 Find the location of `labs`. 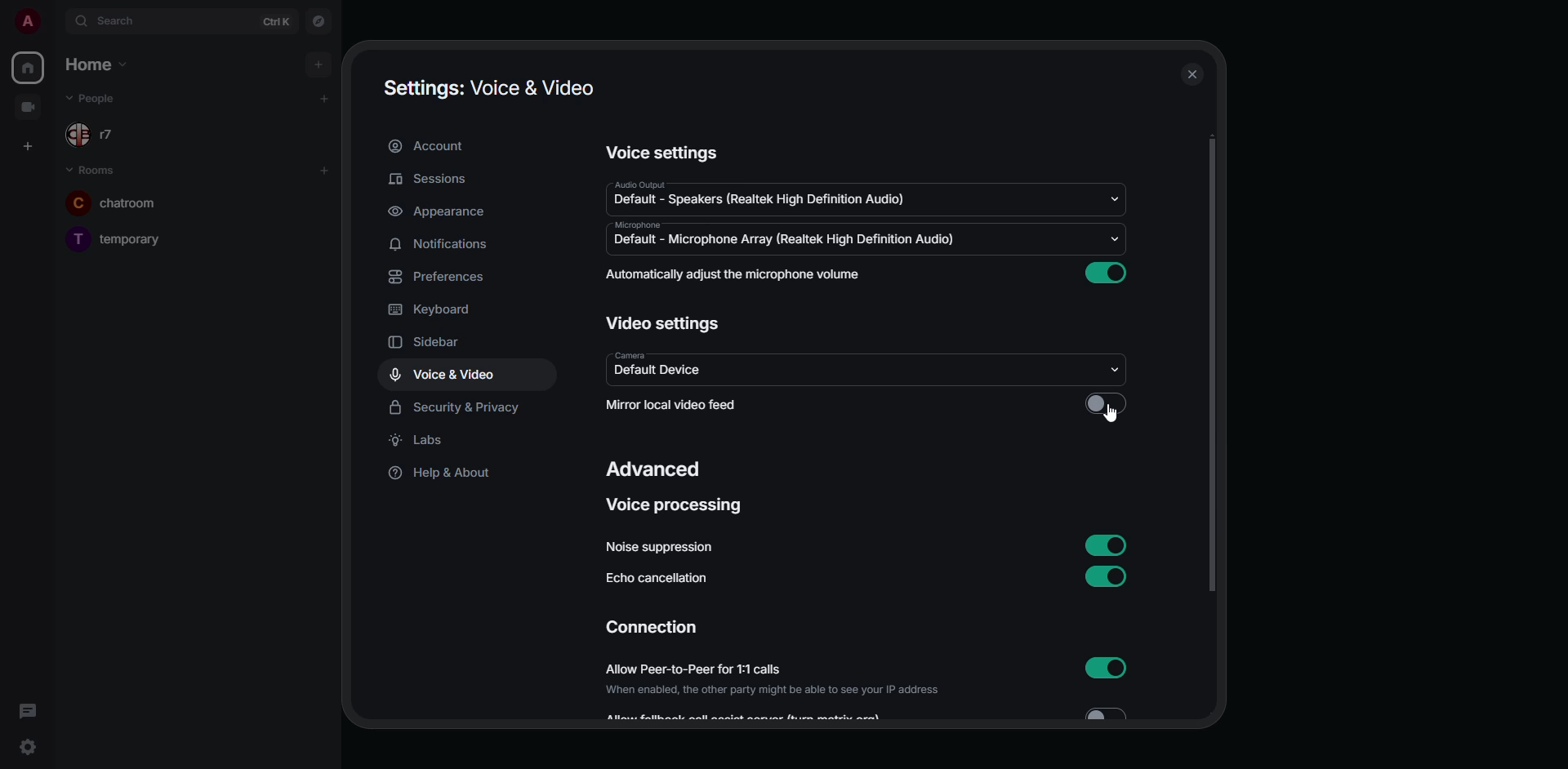

labs is located at coordinates (425, 442).